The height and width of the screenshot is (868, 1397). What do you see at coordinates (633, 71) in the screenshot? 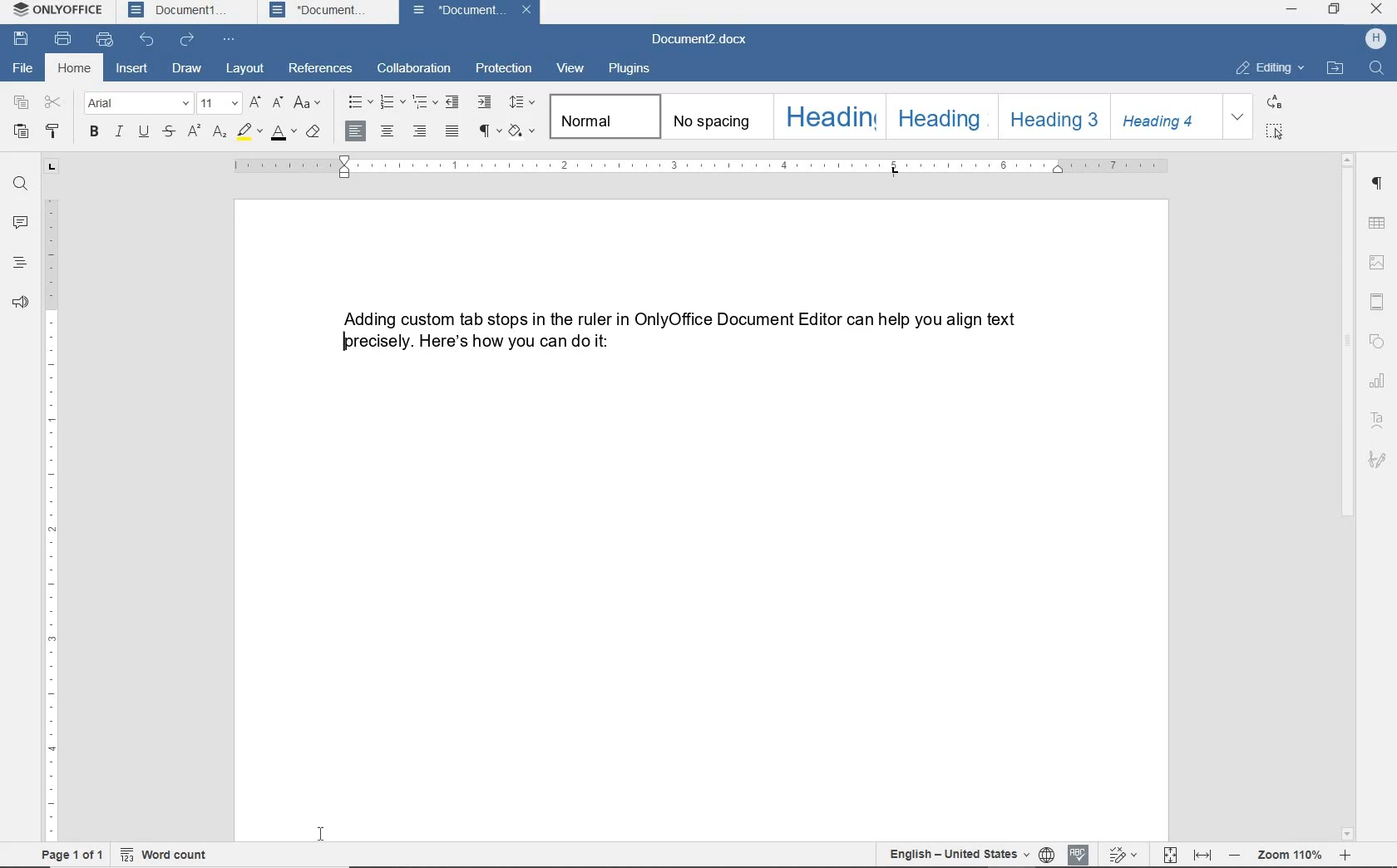
I see `plugins` at bounding box center [633, 71].